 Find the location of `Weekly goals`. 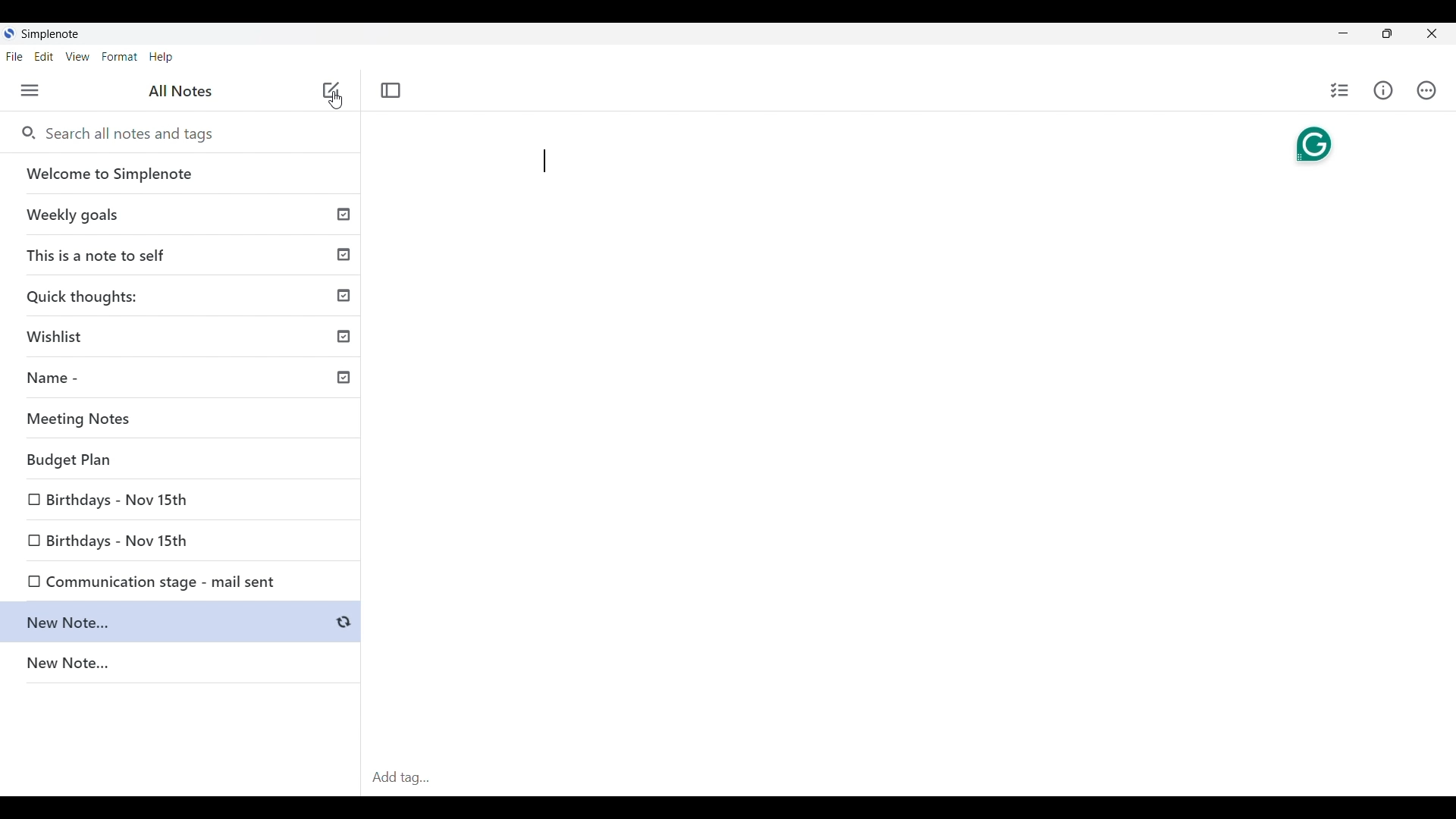

Weekly goals is located at coordinates (180, 214).